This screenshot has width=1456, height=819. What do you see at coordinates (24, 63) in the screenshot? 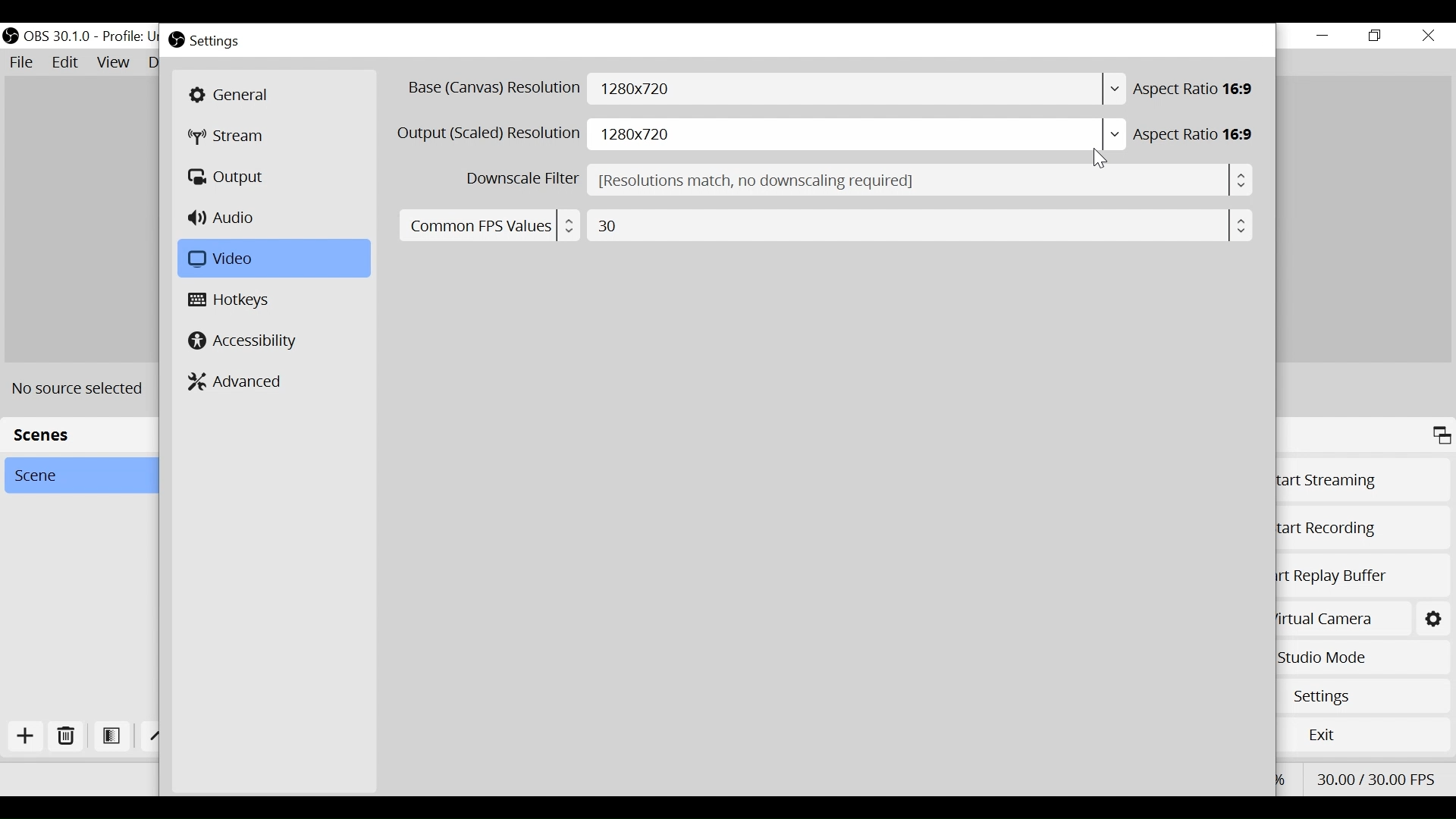
I see `File` at bounding box center [24, 63].